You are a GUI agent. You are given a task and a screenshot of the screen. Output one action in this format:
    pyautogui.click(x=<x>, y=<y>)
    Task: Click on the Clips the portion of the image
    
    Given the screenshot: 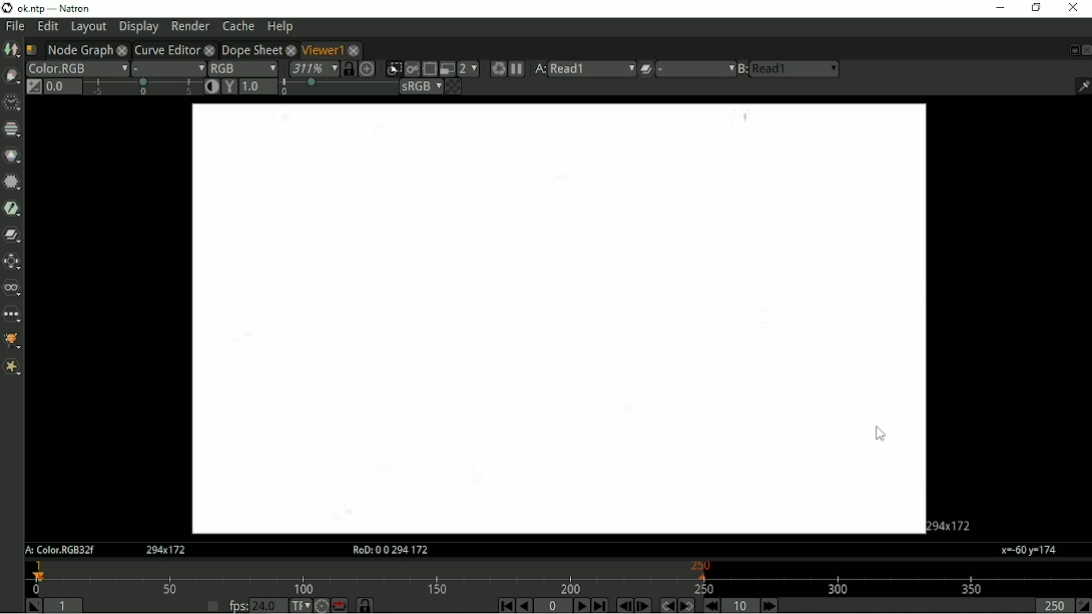 What is the action you would take?
    pyautogui.click(x=393, y=69)
    